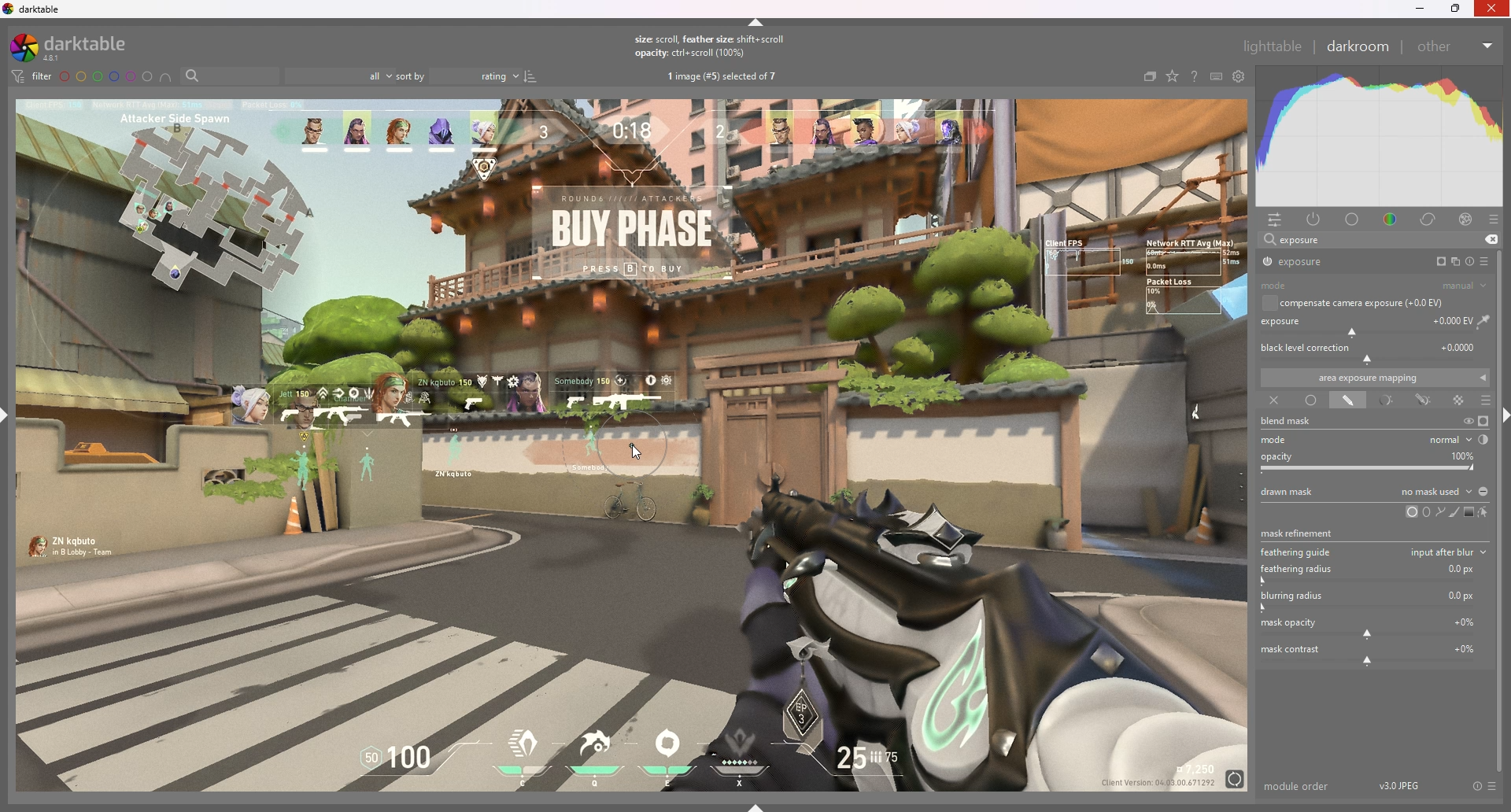 This screenshot has width=1511, height=812. What do you see at coordinates (1332, 261) in the screenshot?
I see `exposure` at bounding box center [1332, 261].